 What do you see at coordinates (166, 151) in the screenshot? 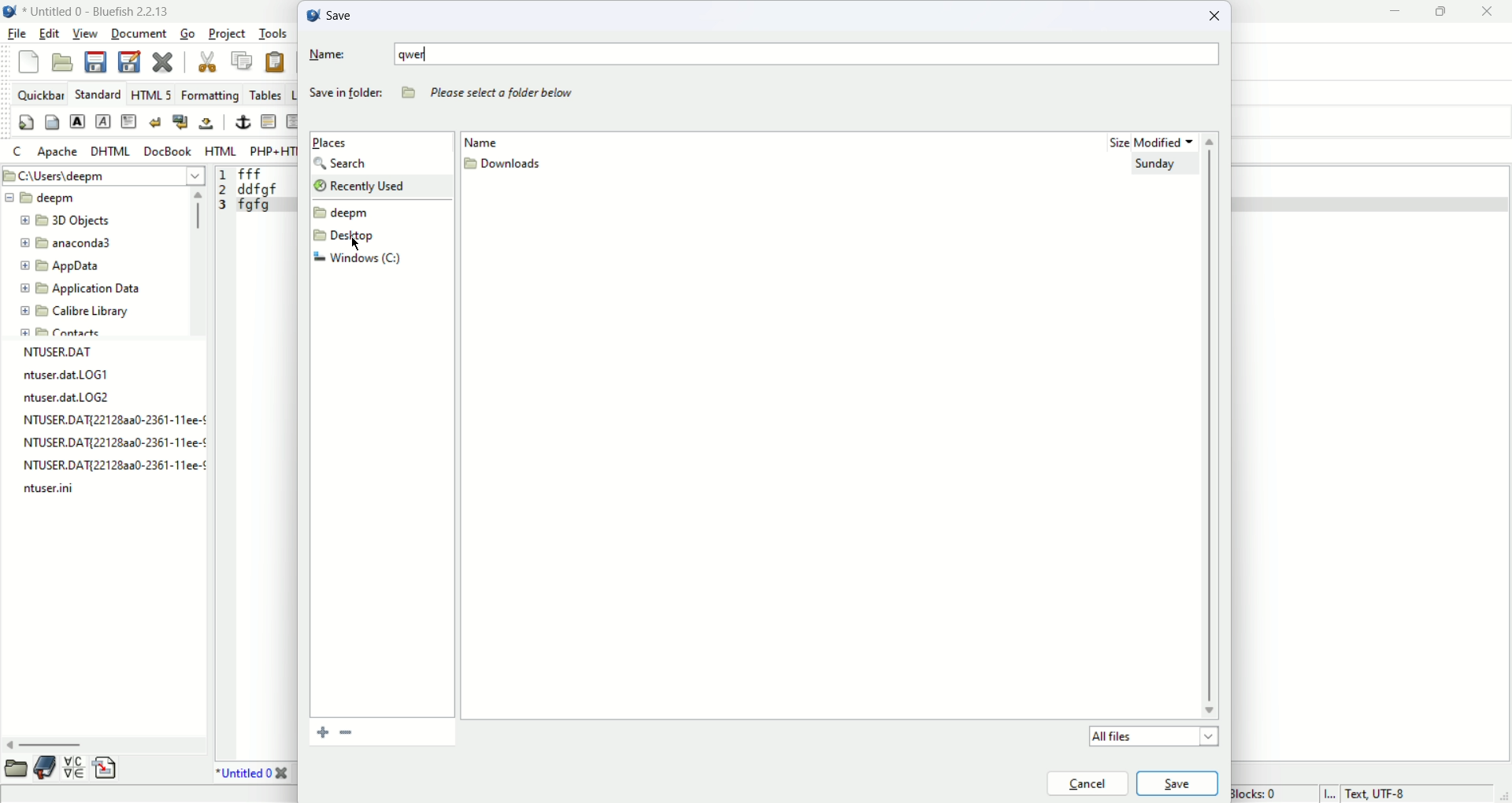
I see `Docbook` at bounding box center [166, 151].